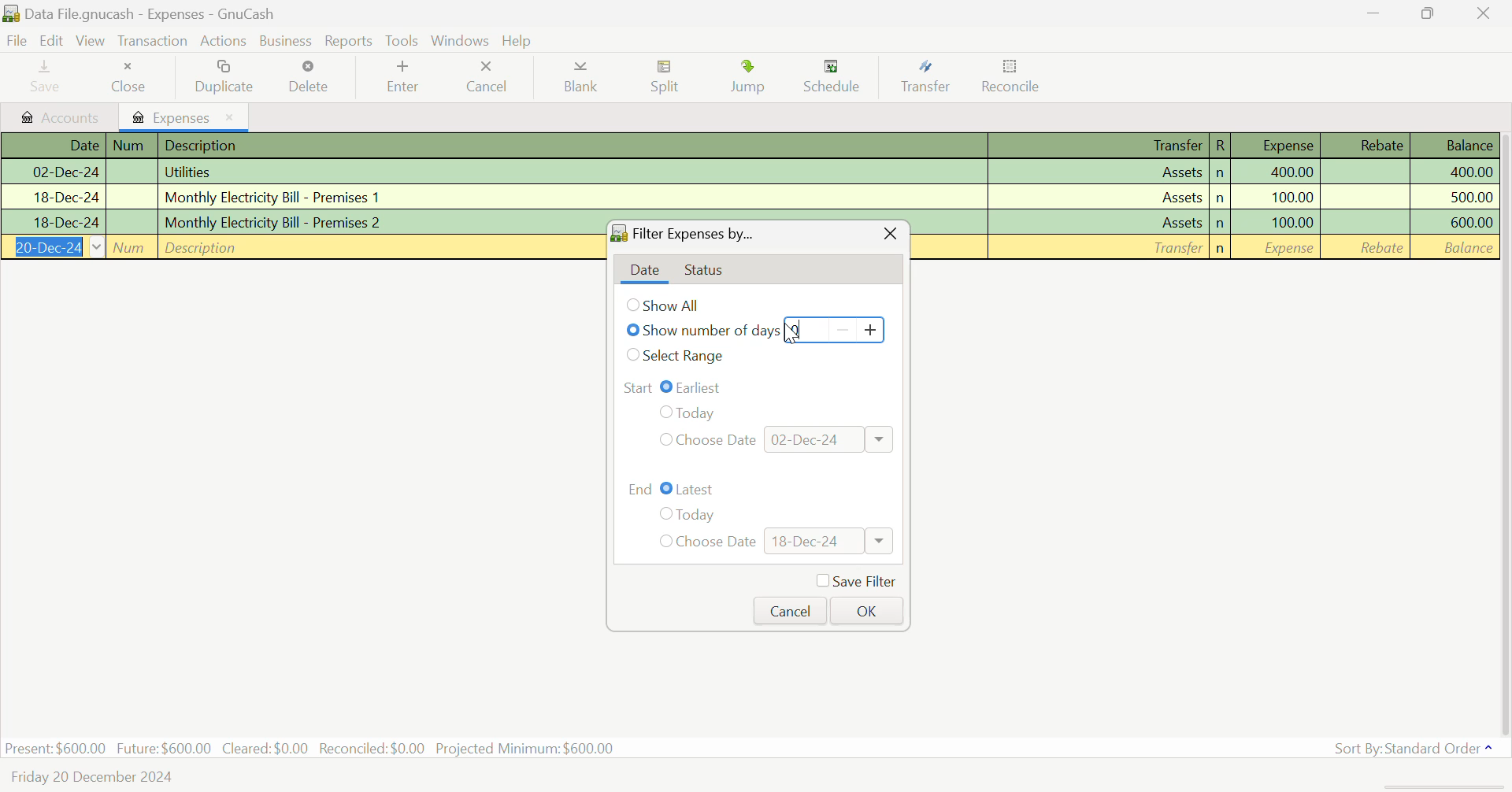 The width and height of the screenshot is (1512, 792). What do you see at coordinates (287, 41) in the screenshot?
I see `Business` at bounding box center [287, 41].